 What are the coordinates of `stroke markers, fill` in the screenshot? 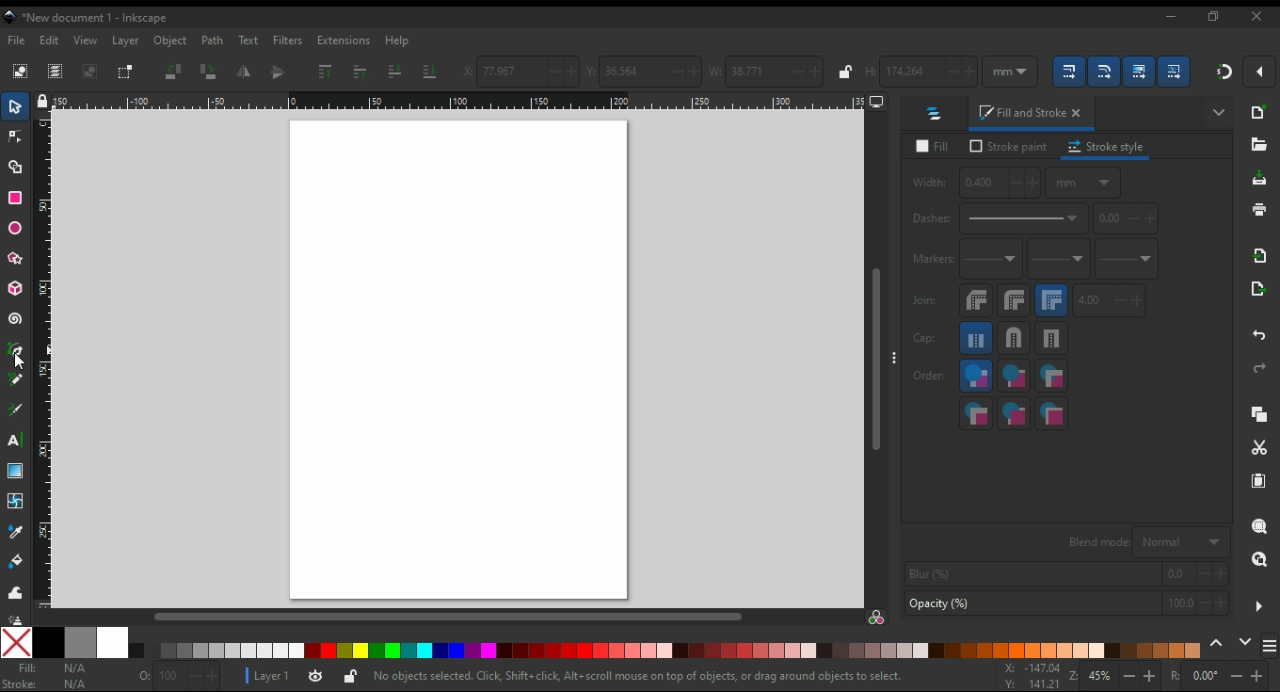 It's located at (1015, 413).